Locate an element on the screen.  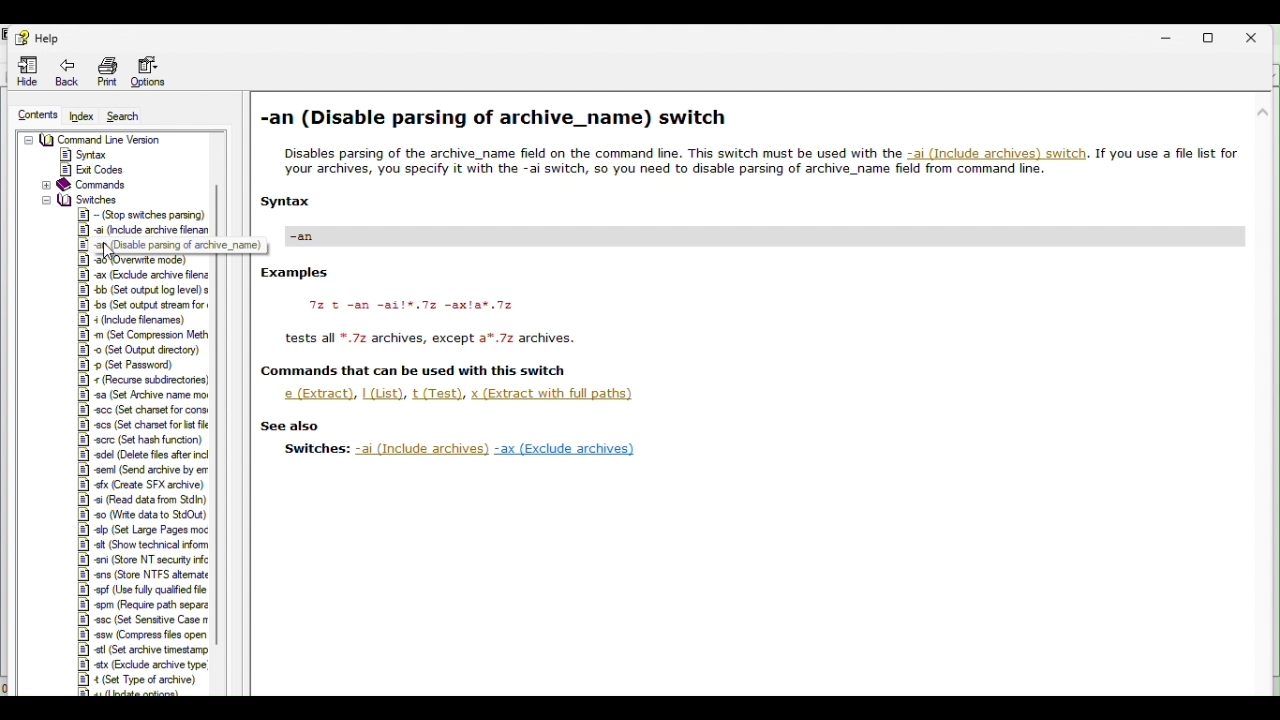
Syntax is located at coordinates (286, 201).